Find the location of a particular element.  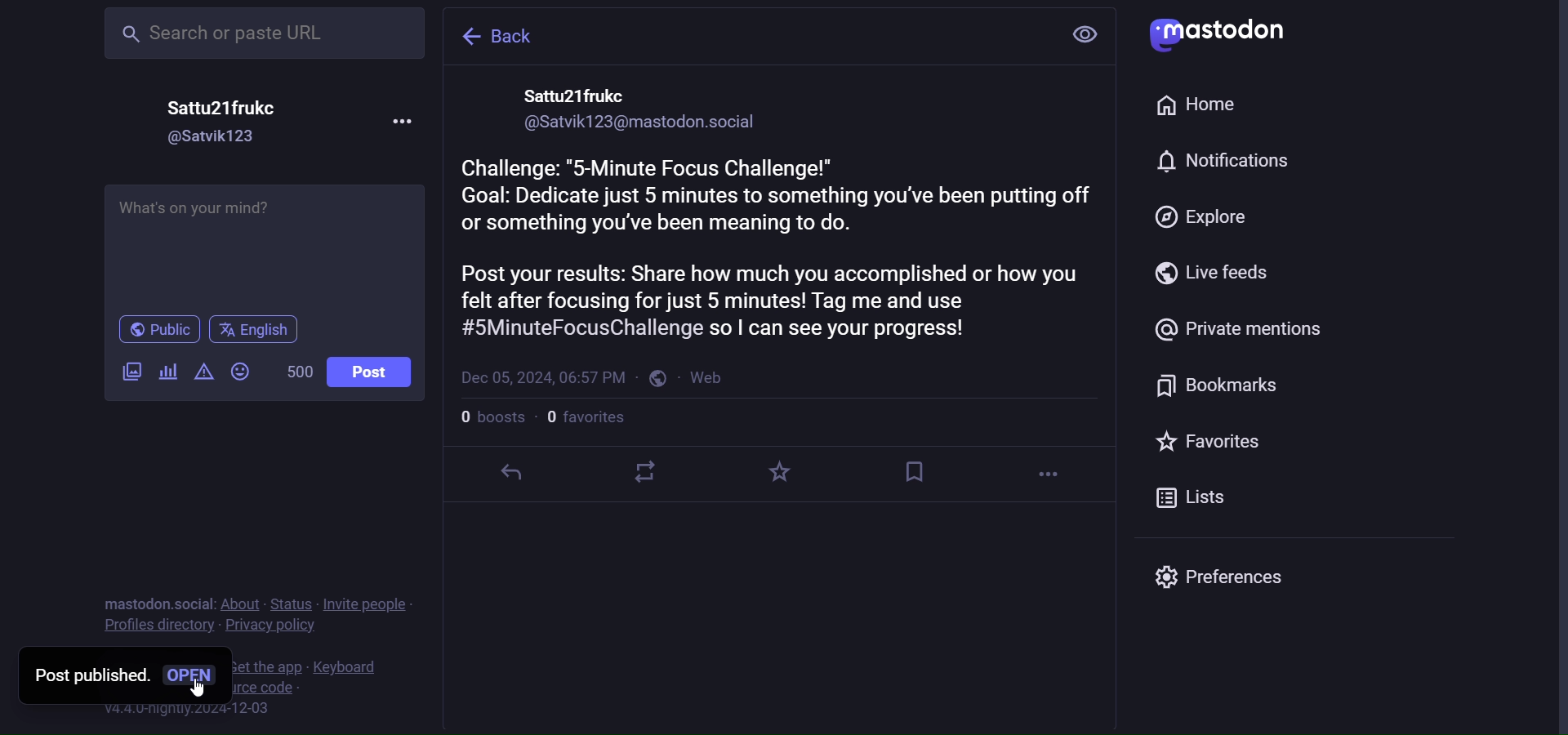

public is located at coordinates (156, 330).